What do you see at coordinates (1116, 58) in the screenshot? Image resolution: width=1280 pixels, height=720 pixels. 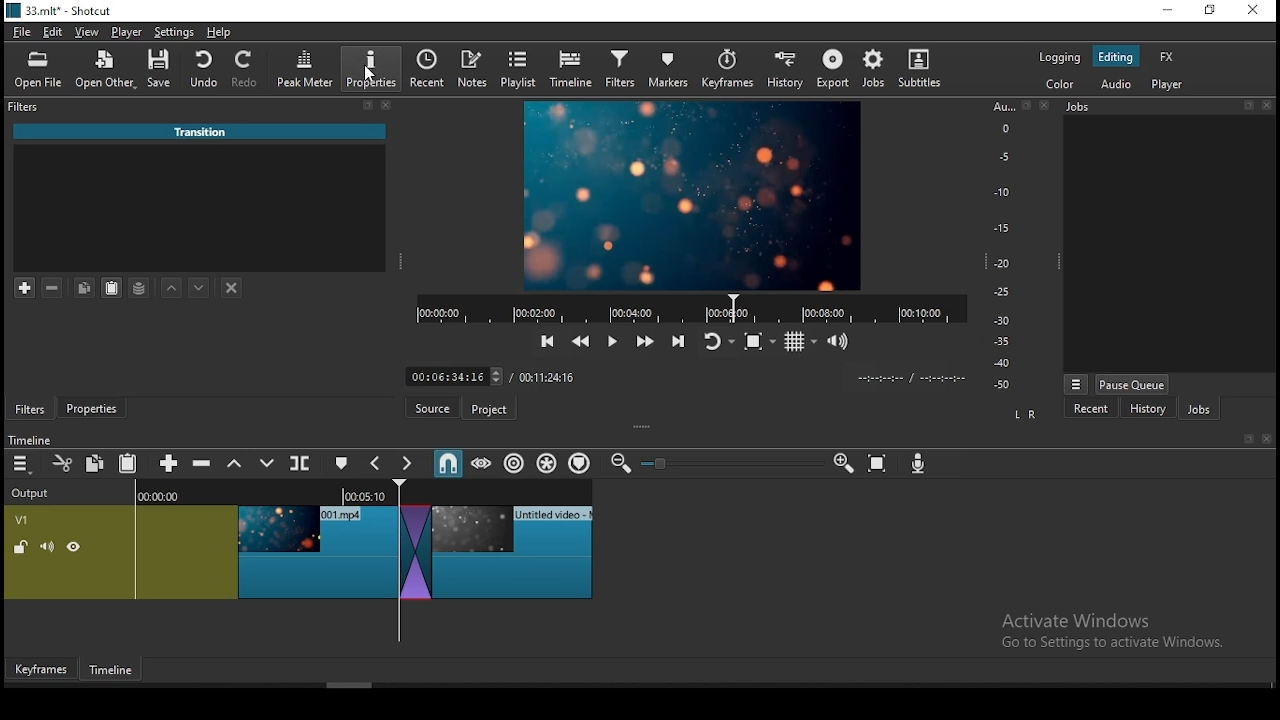 I see `editing` at bounding box center [1116, 58].